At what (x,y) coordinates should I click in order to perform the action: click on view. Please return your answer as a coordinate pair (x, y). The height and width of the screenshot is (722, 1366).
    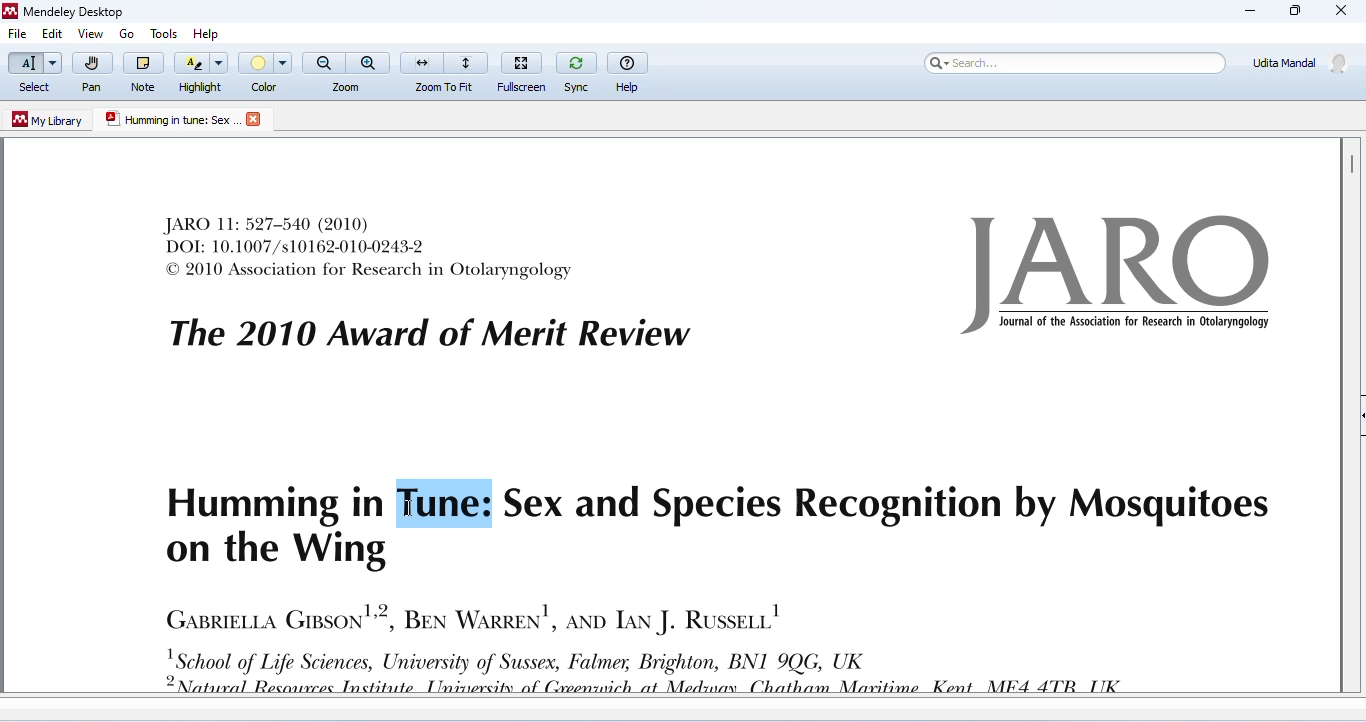
    Looking at the image, I should click on (90, 34).